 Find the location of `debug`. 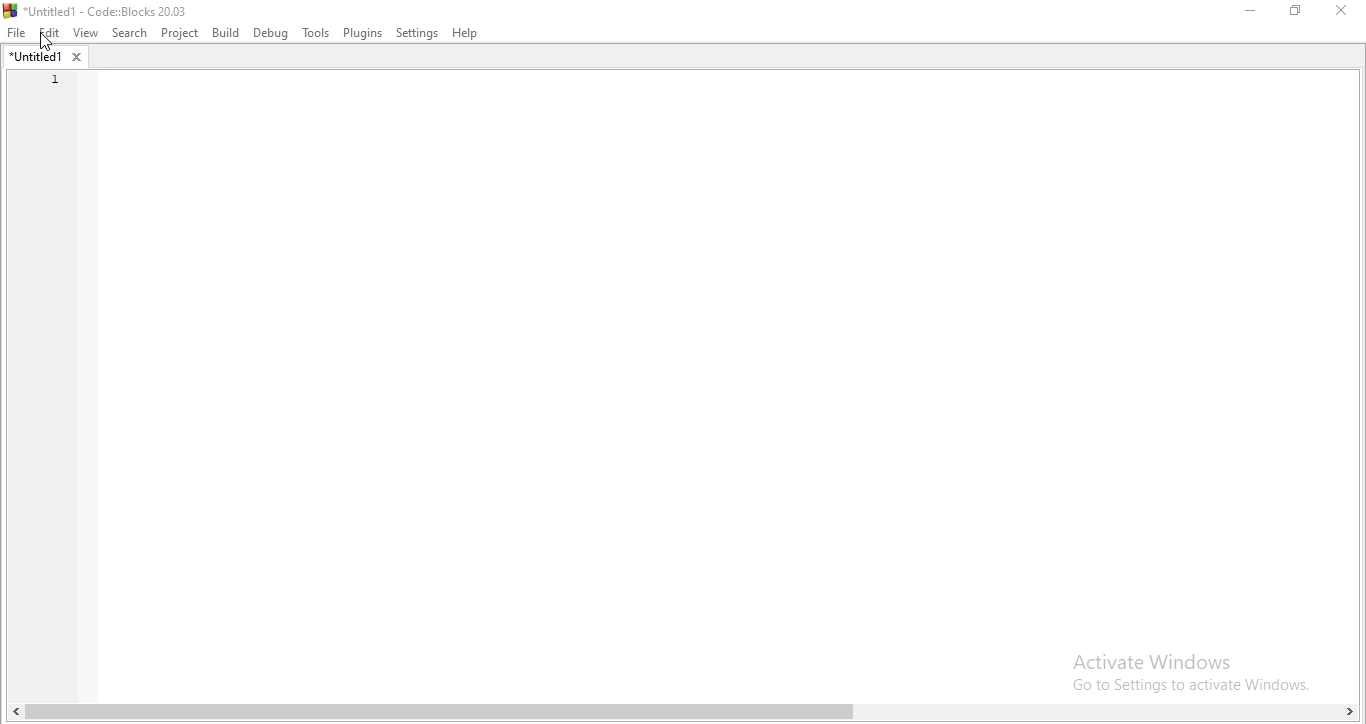

debug is located at coordinates (269, 33).